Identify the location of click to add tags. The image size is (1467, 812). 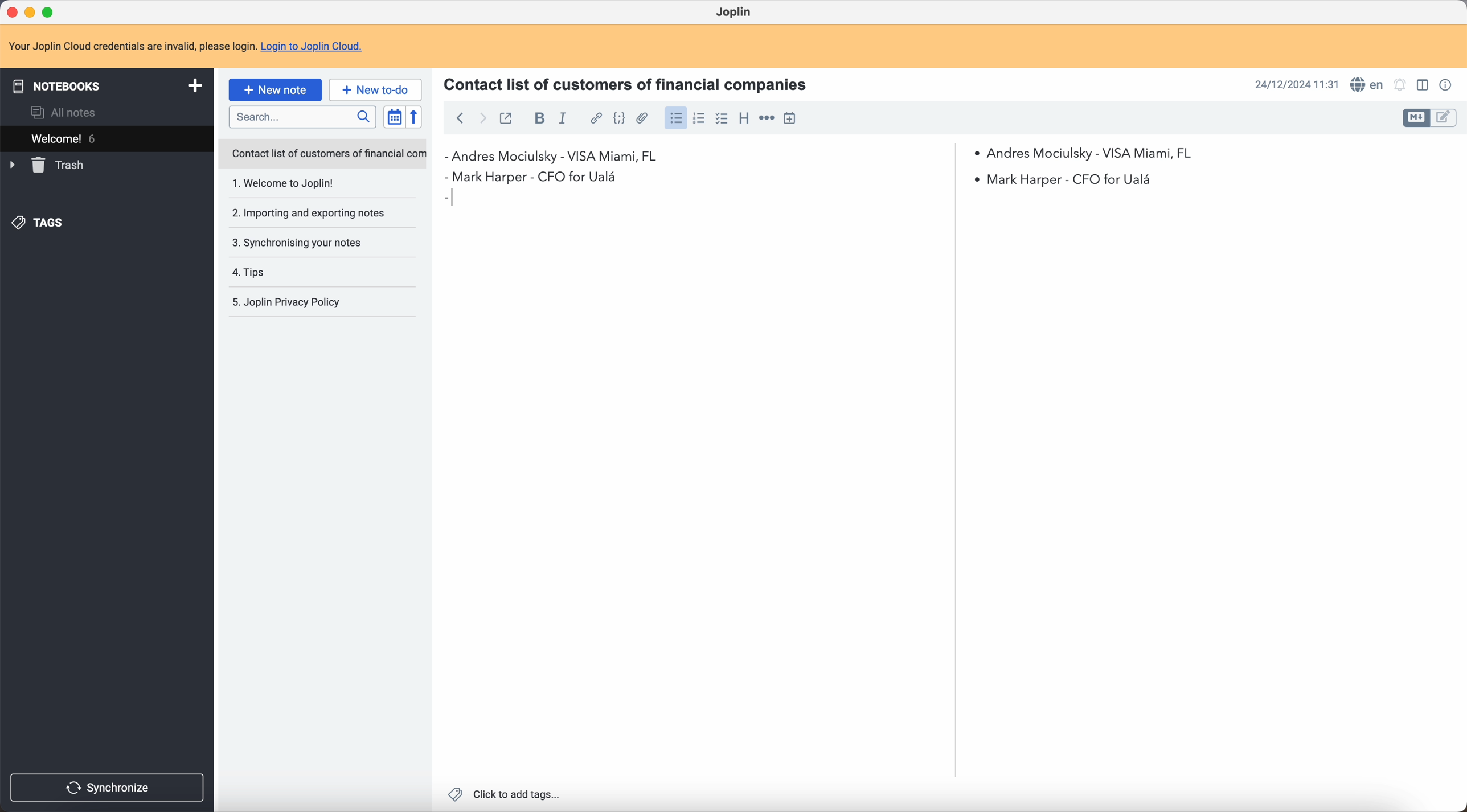
(503, 794).